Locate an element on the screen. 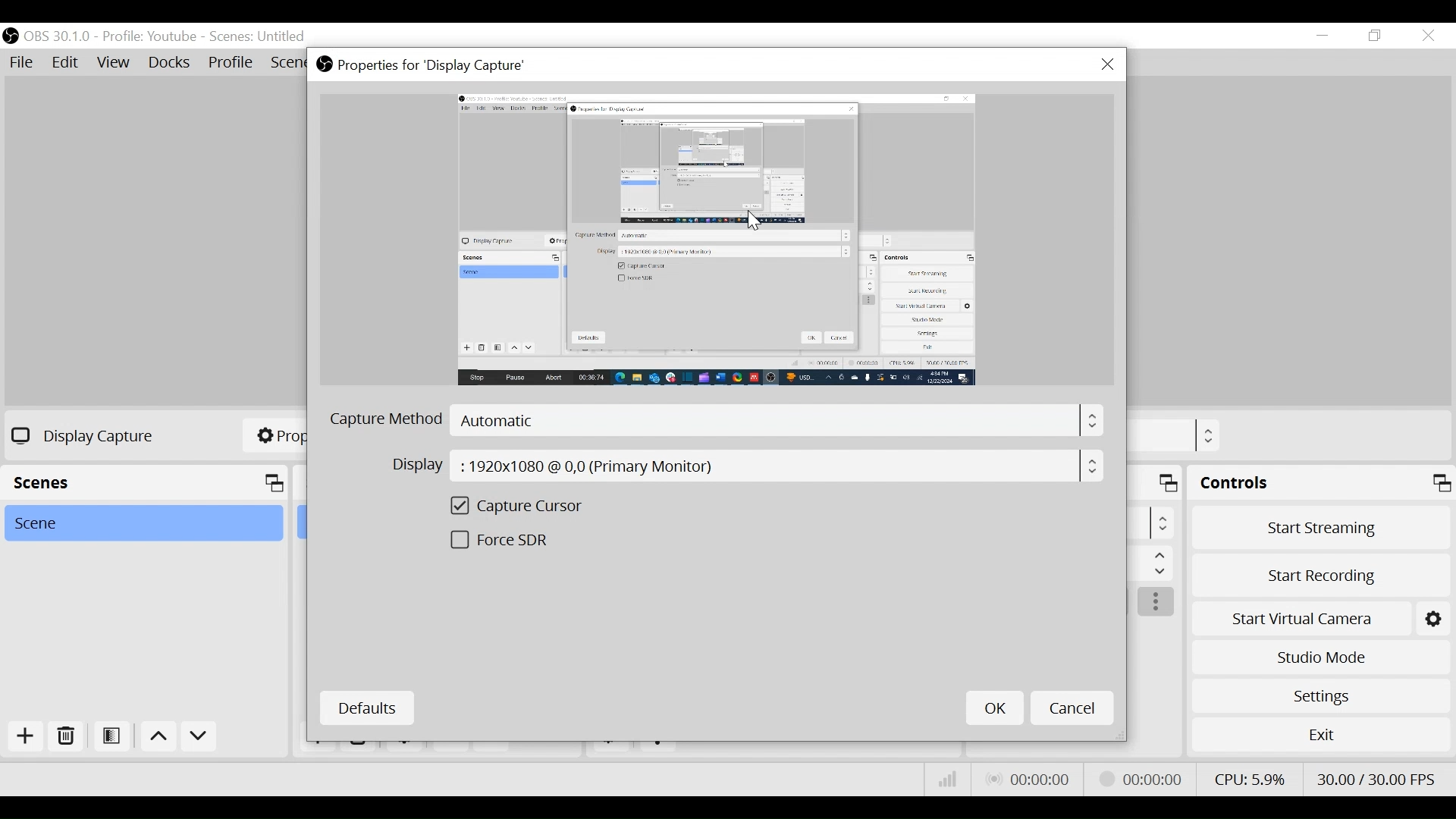  No source selected is located at coordinates (79, 435).